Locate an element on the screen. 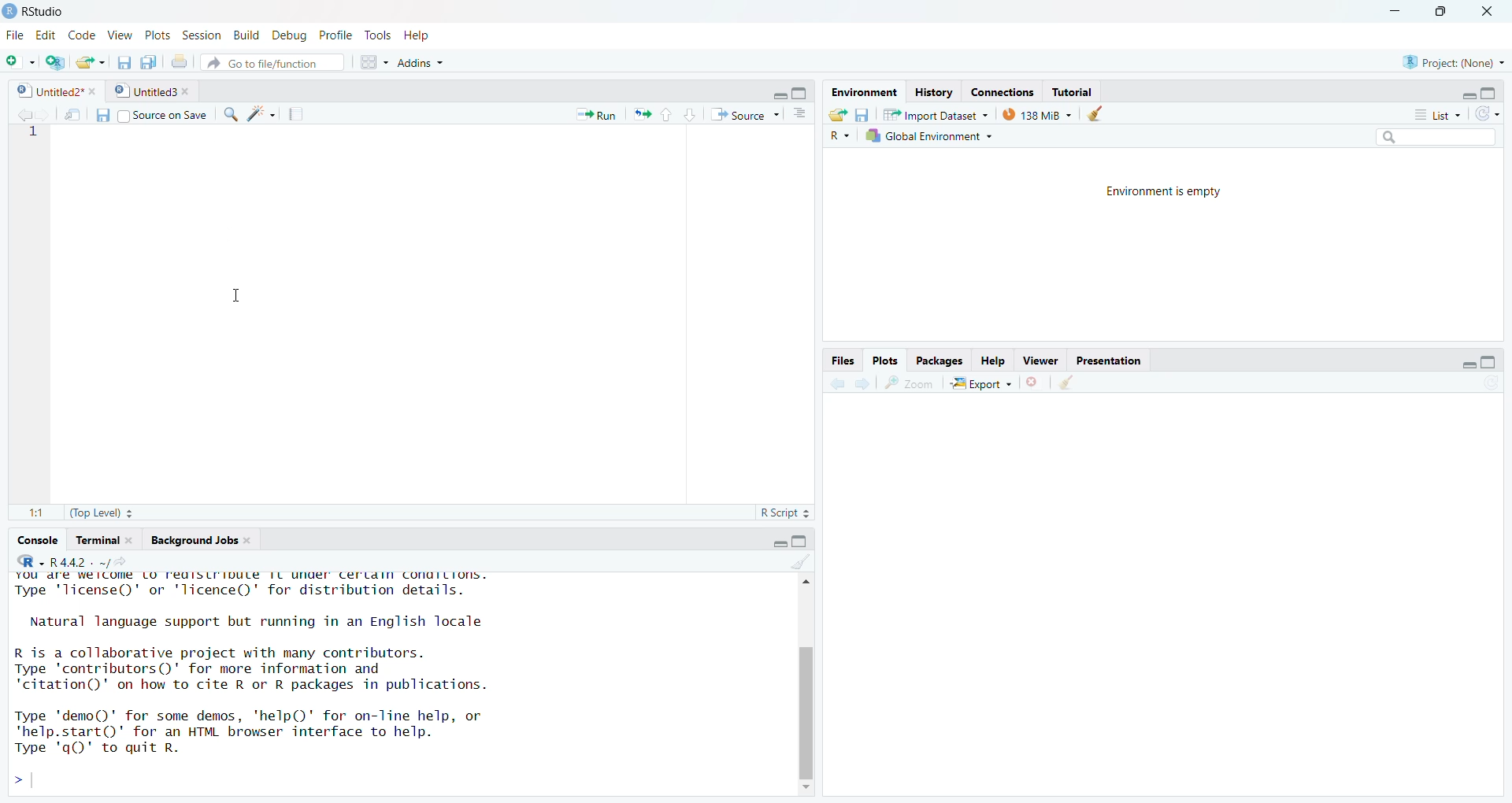 This screenshot has height=803, width=1512. ackground Jobs is located at coordinates (195, 542).